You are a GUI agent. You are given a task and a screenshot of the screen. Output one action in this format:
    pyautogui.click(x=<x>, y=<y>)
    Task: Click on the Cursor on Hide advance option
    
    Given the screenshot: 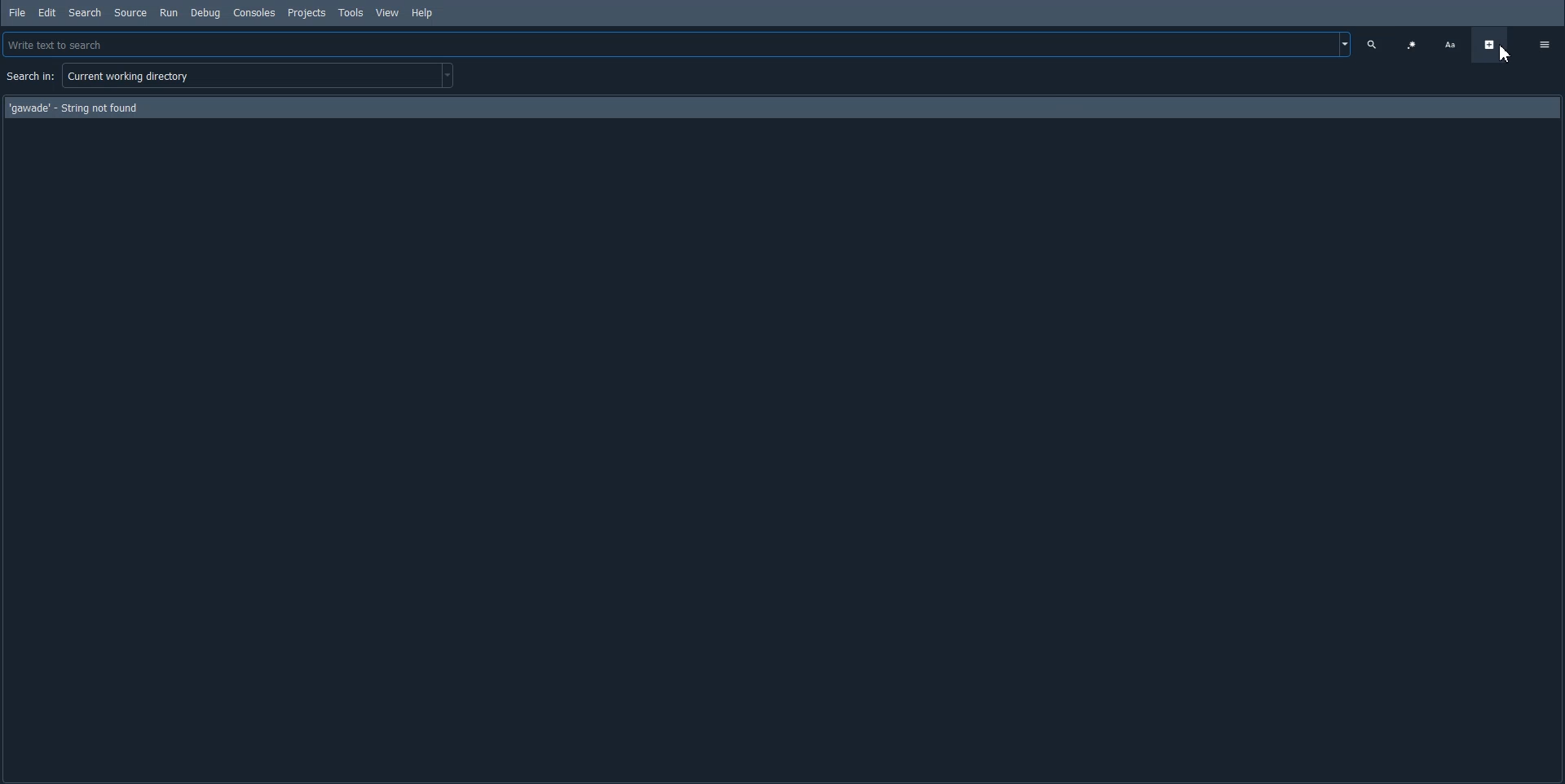 What is the action you would take?
    pyautogui.click(x=1502, y=57)
    